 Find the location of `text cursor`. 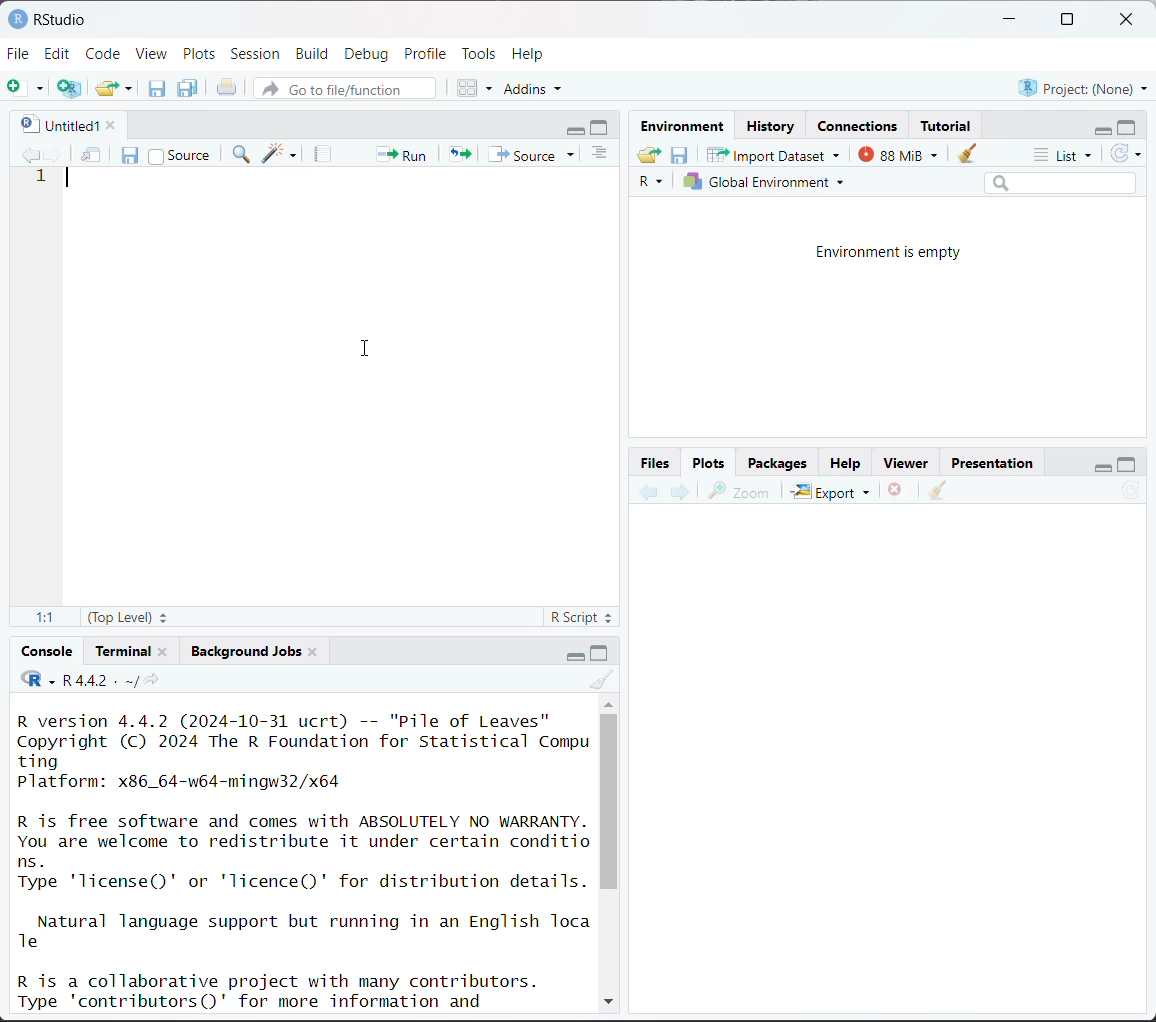

text cursor is located at coordinates (69, 179).